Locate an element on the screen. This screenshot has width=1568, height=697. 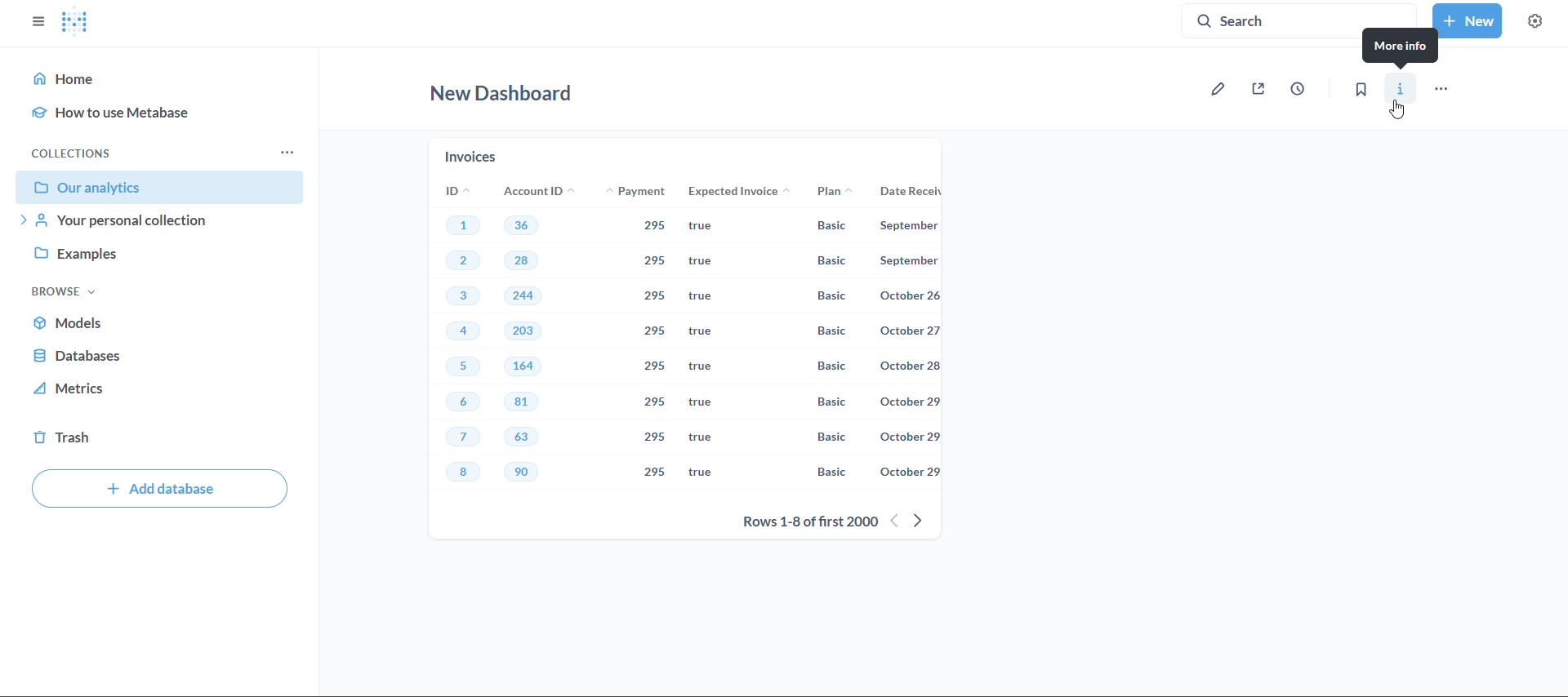
cursor is located at coordinates (1402, 111).